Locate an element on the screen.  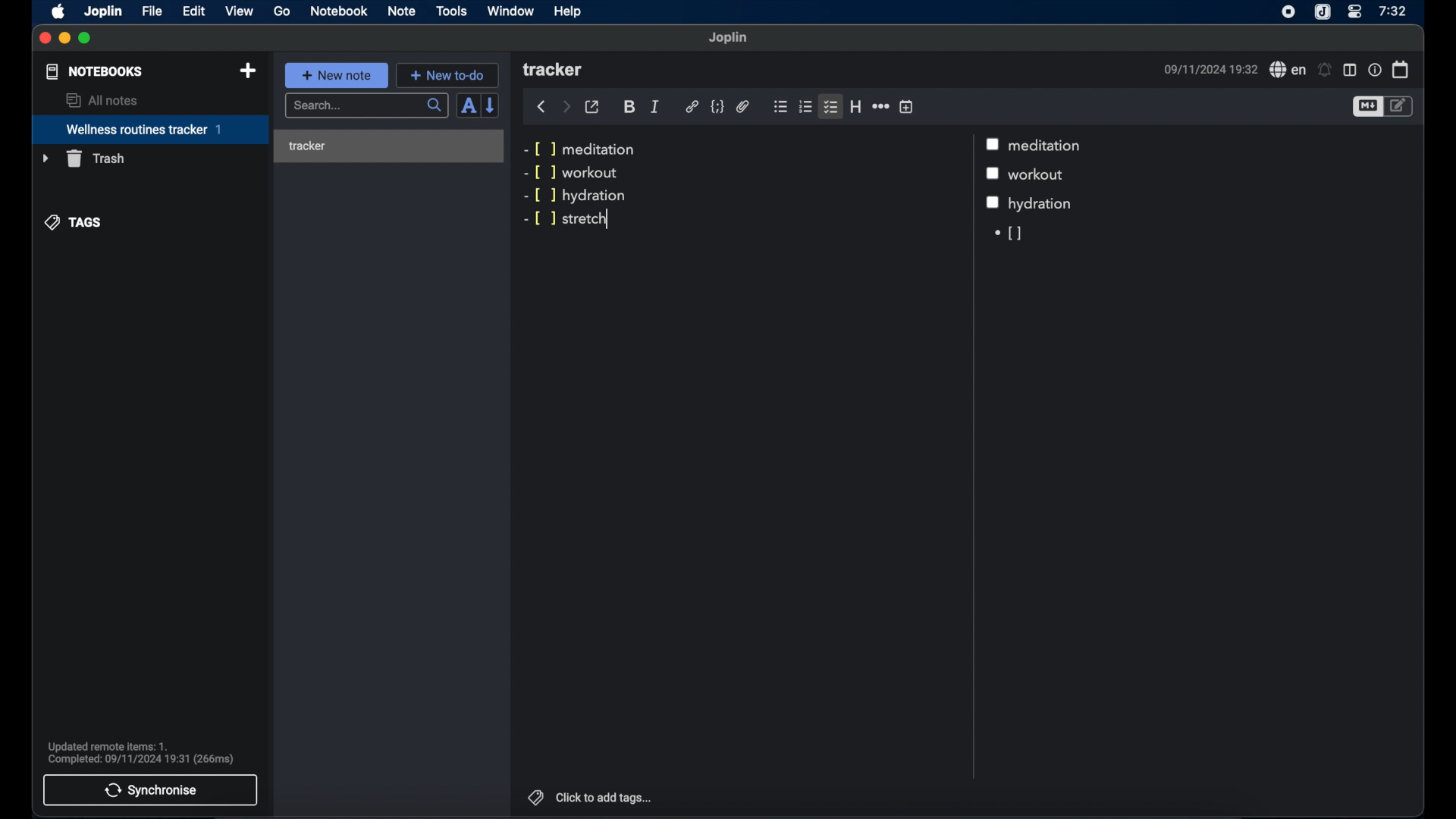
hyperlink is located at coordinates (692, 107).